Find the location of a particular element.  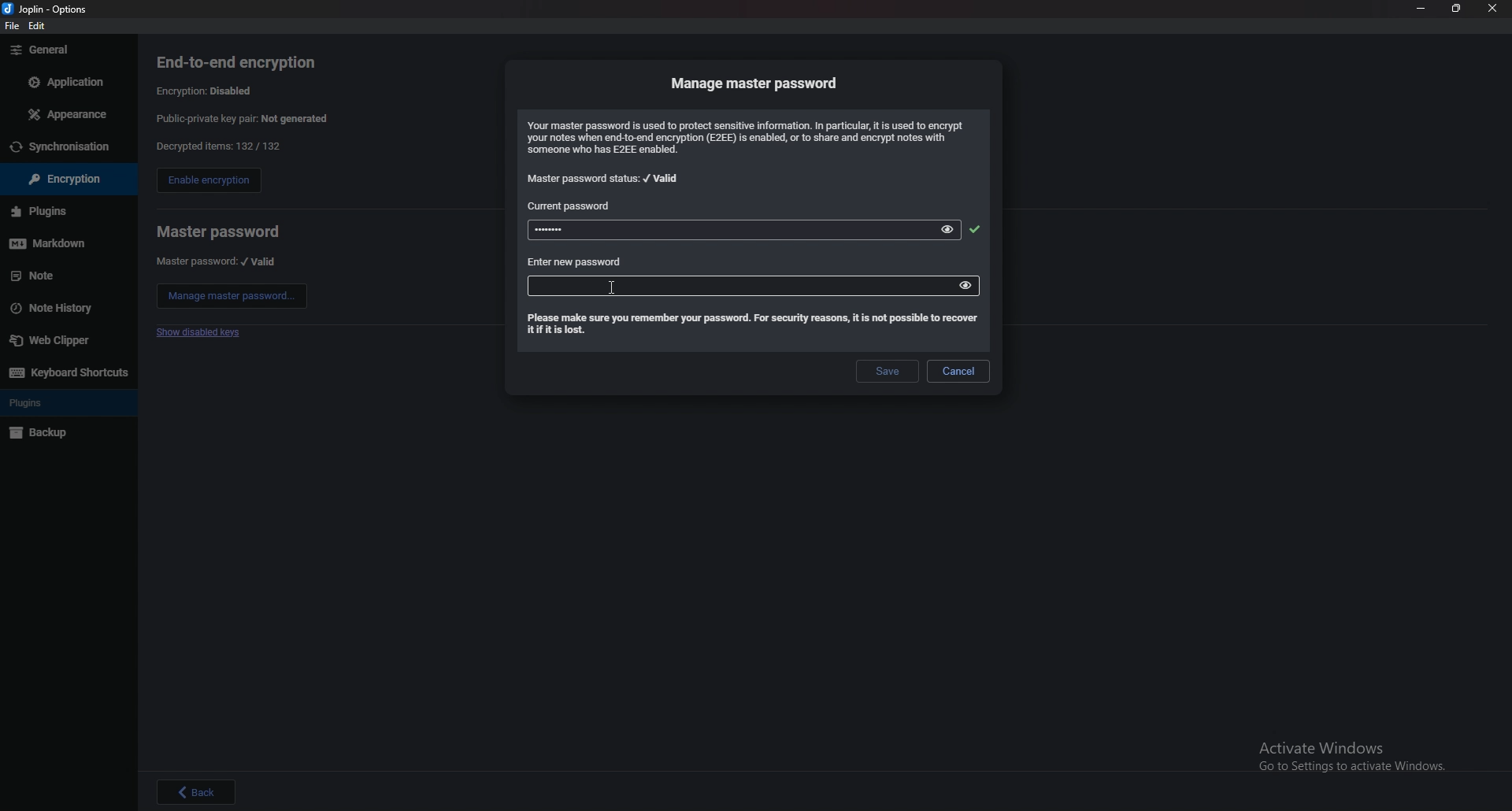

general is located at coordinates (66, 50).